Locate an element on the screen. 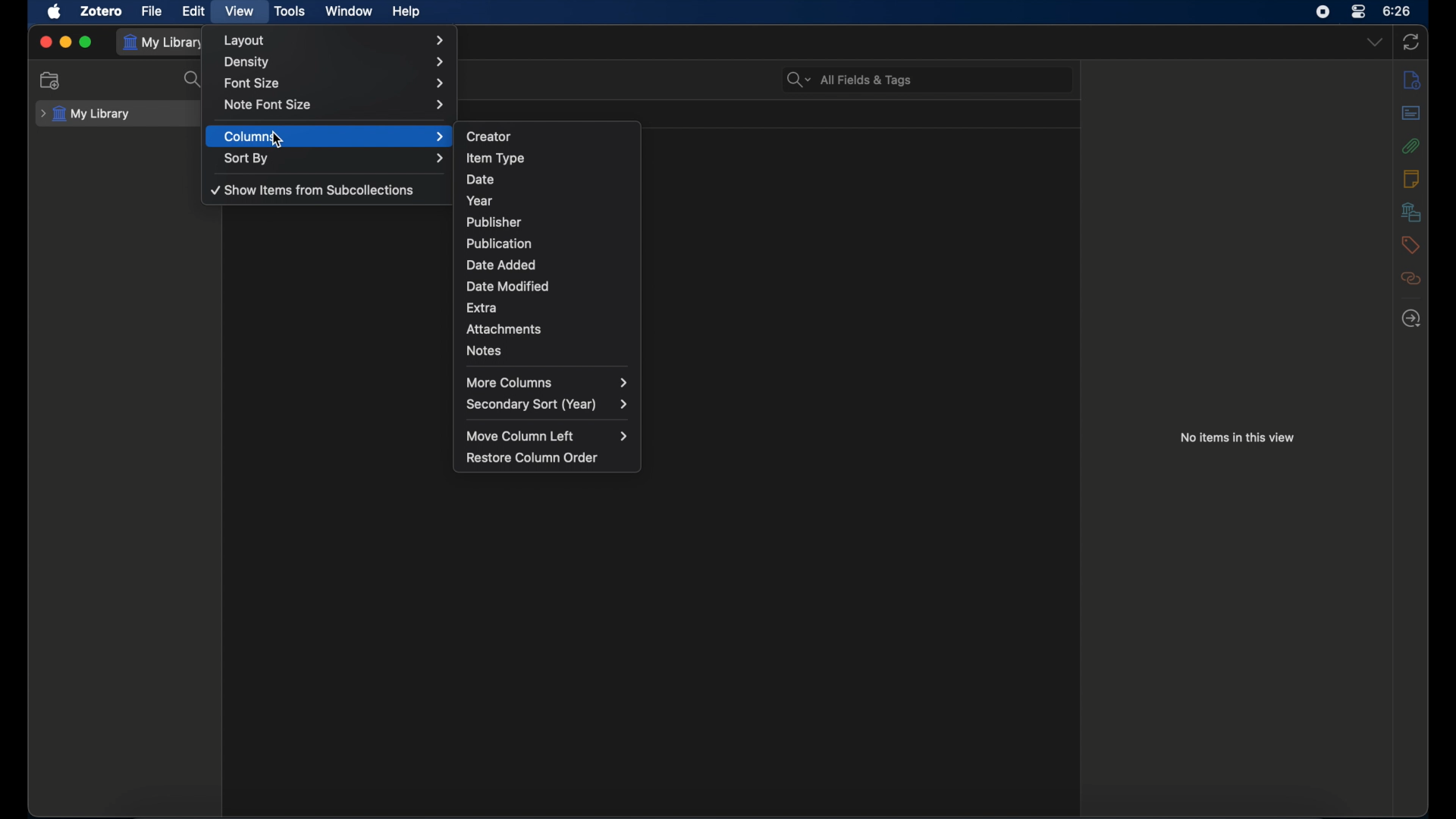 This screenshot has width=1456, height=819. note font size is located at coordinates (334, 105).